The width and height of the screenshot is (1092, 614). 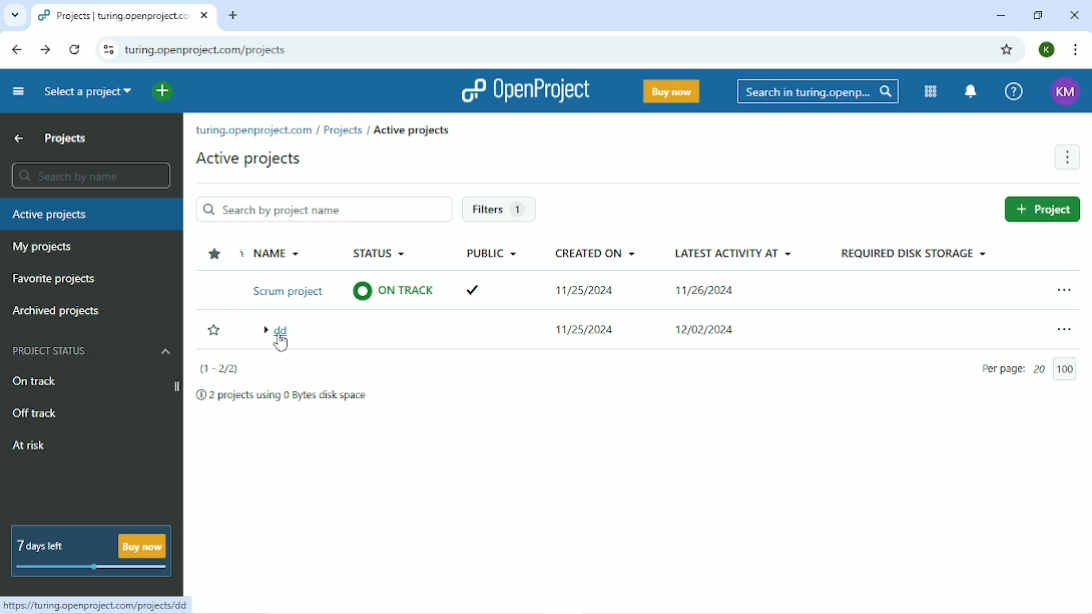 What do you see at coordinates (92, 351) in the screenshot?
I see `Project status` at bounding box center [92, 351].